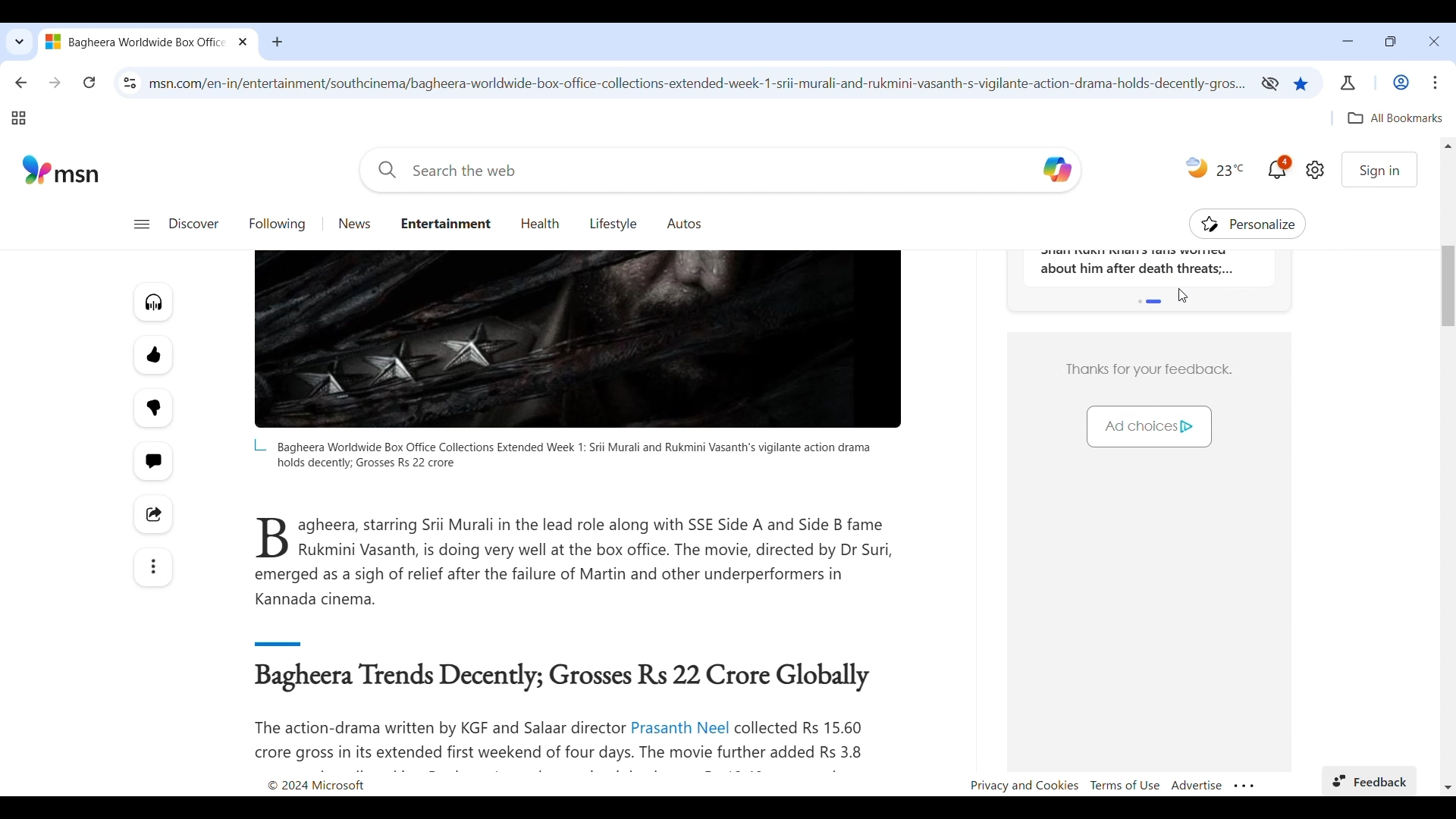  I want to click on Open navigation menu, so click(141, 224).